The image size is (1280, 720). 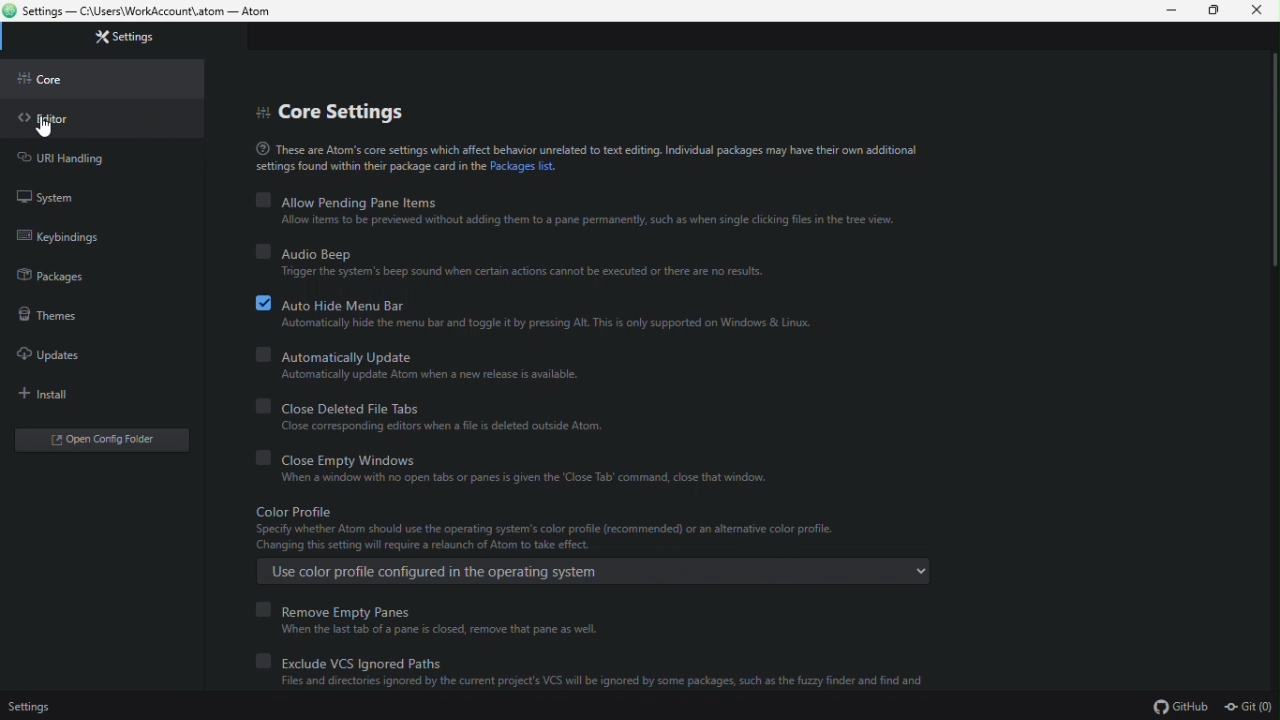 What do you see at coordinates (583, 527) in the screenshot?
I see `Color profile Specify whether Atom should use the operating system's color profile (recommended) or an alternative color profile. Changing this setting will require a relaunch of Atom to take effect.` at bounding box center [583, 527].